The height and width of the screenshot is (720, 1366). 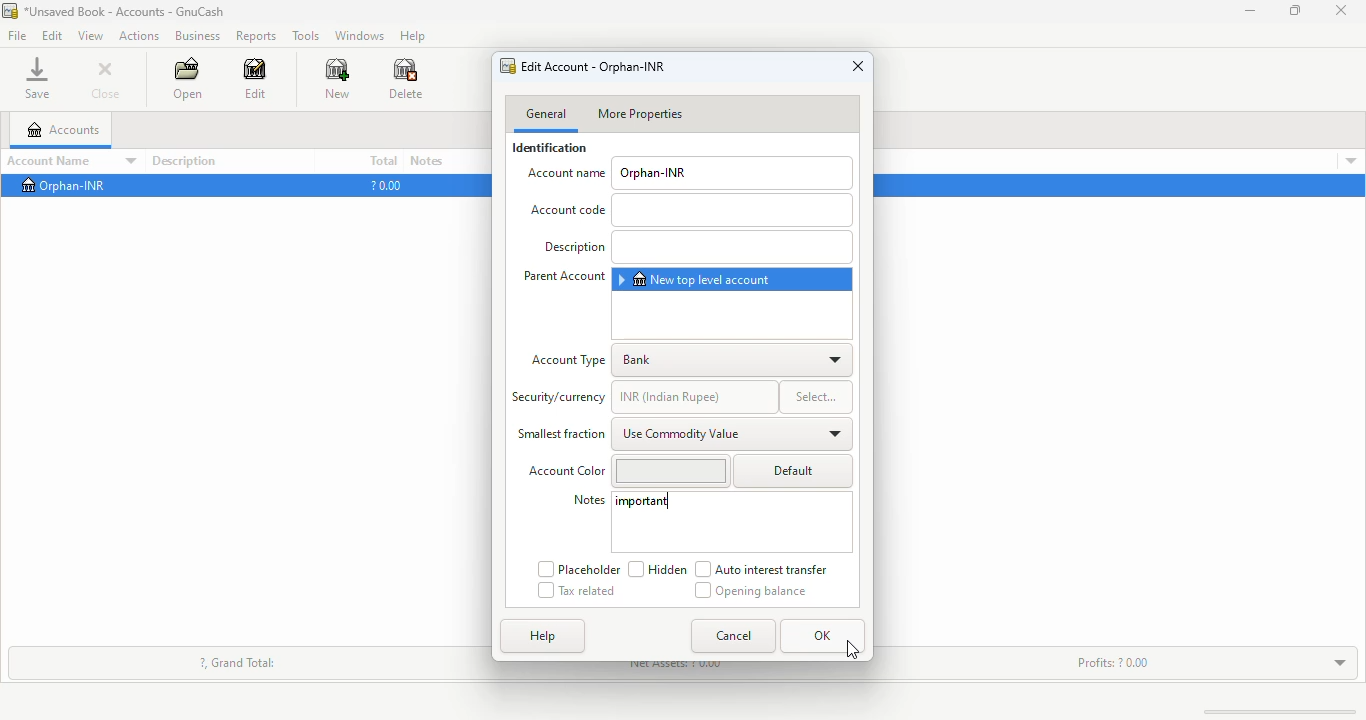 What do you see at coordinates (733, 434) in the screenshot?
I see `use commodity value` at bounding box center [733, 434].